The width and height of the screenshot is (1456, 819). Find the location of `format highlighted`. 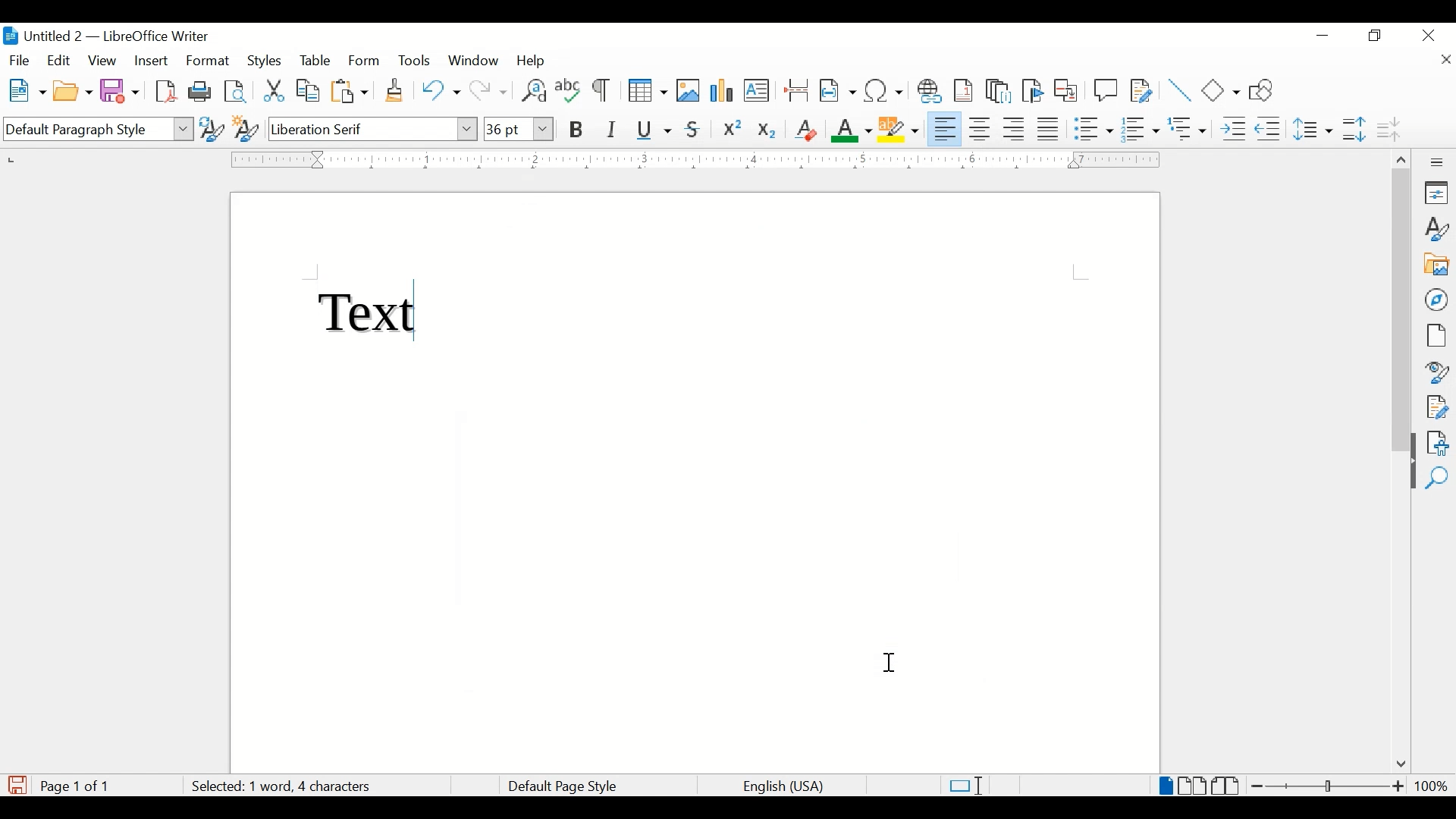

format highlighted is located at coordinates (209, 61).